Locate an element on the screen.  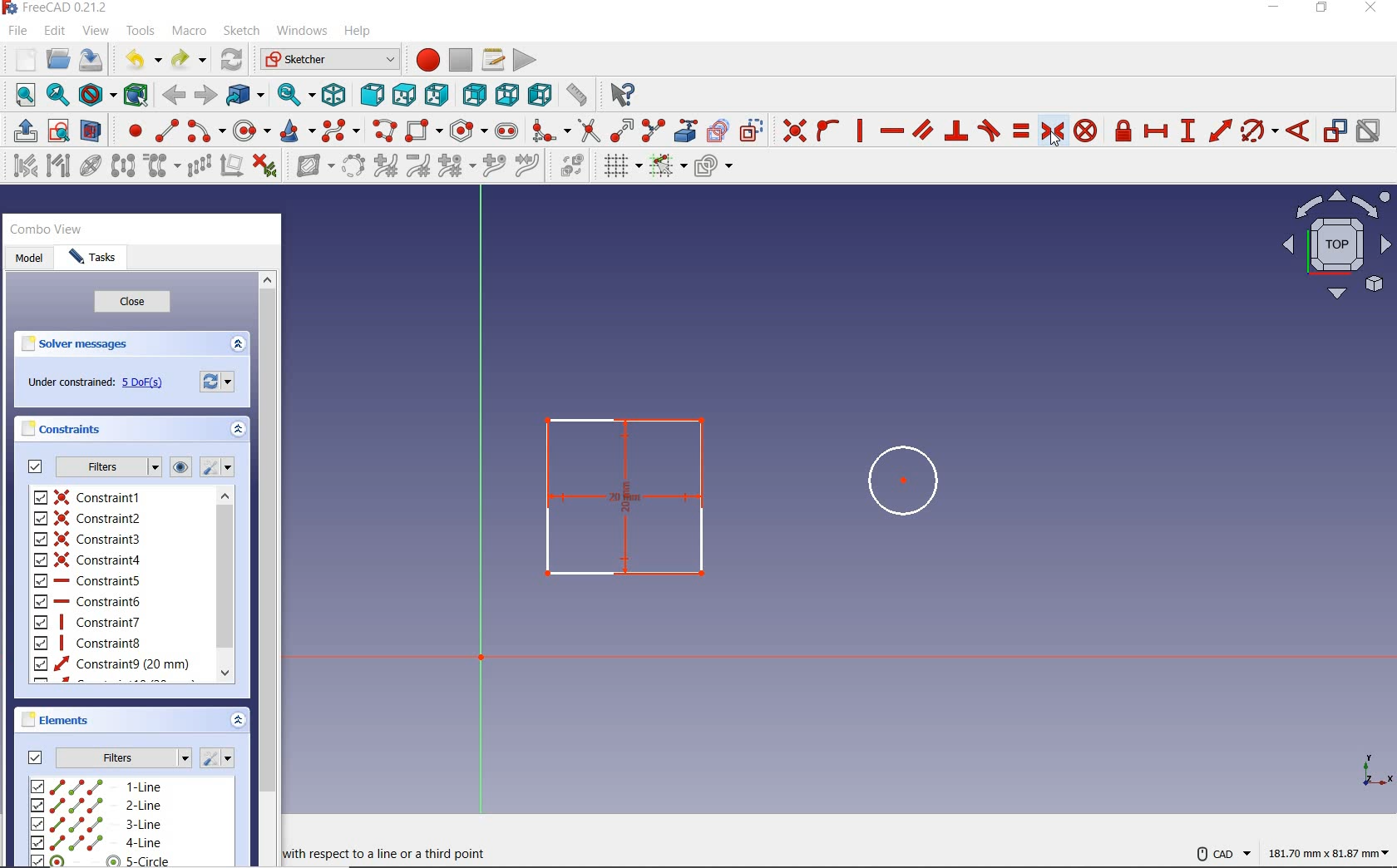
back is located at coordinates (175, 96).